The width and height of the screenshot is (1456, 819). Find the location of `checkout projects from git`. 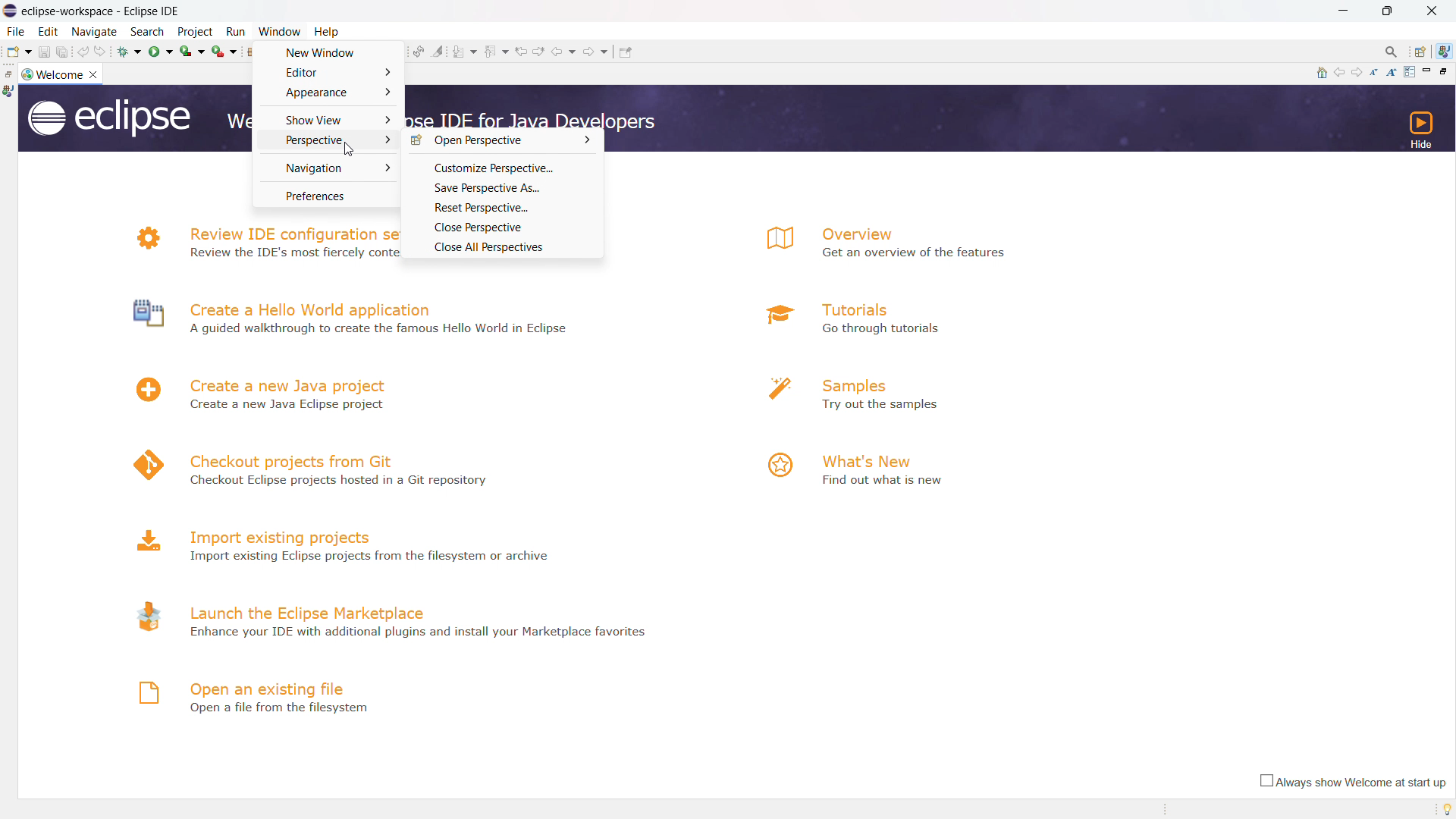

checkout projects from git is located at coordinates (293, 460).